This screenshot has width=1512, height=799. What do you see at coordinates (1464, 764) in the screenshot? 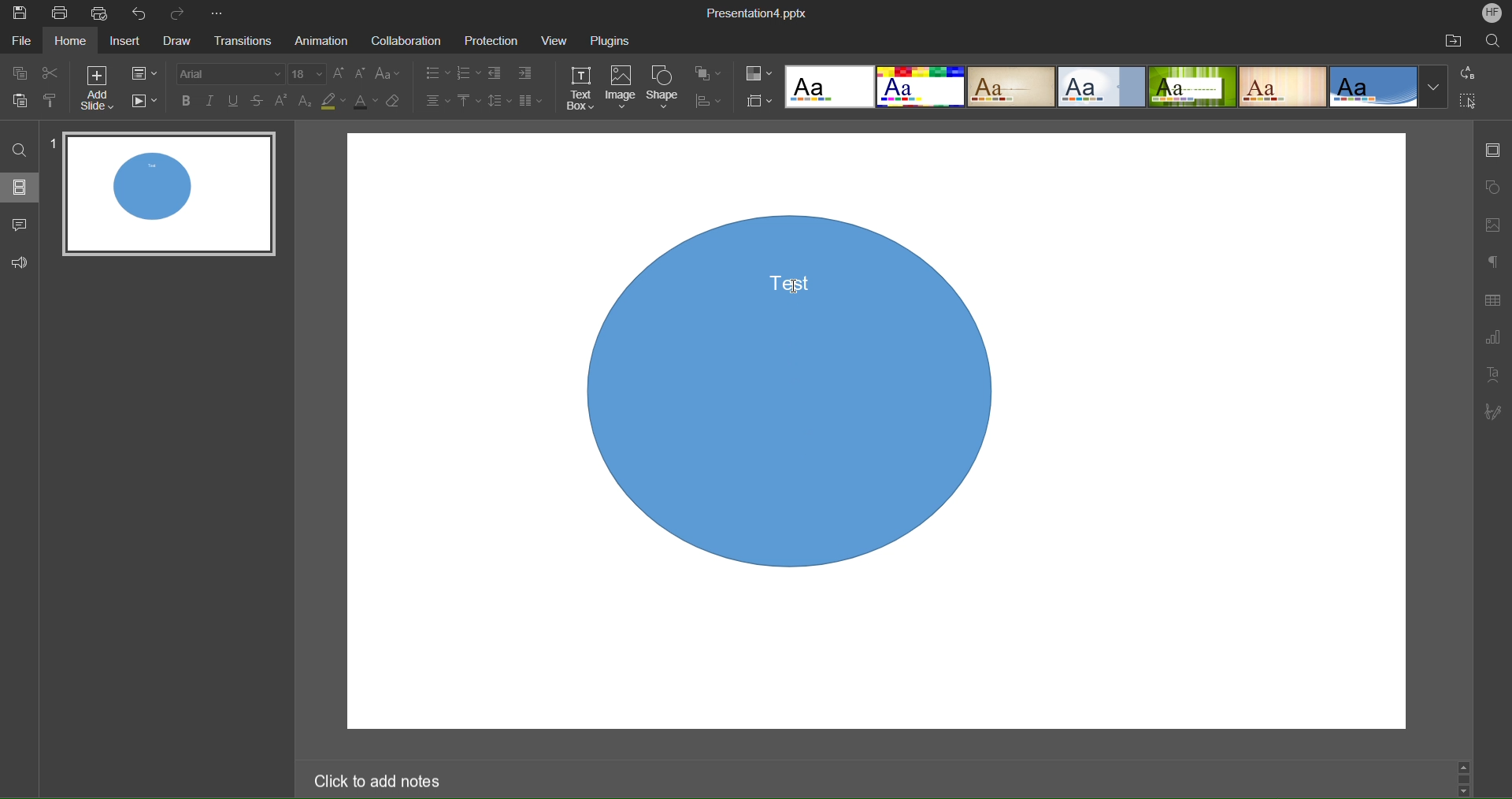
I see `Scroll up` at bounding box center [1464, 764].